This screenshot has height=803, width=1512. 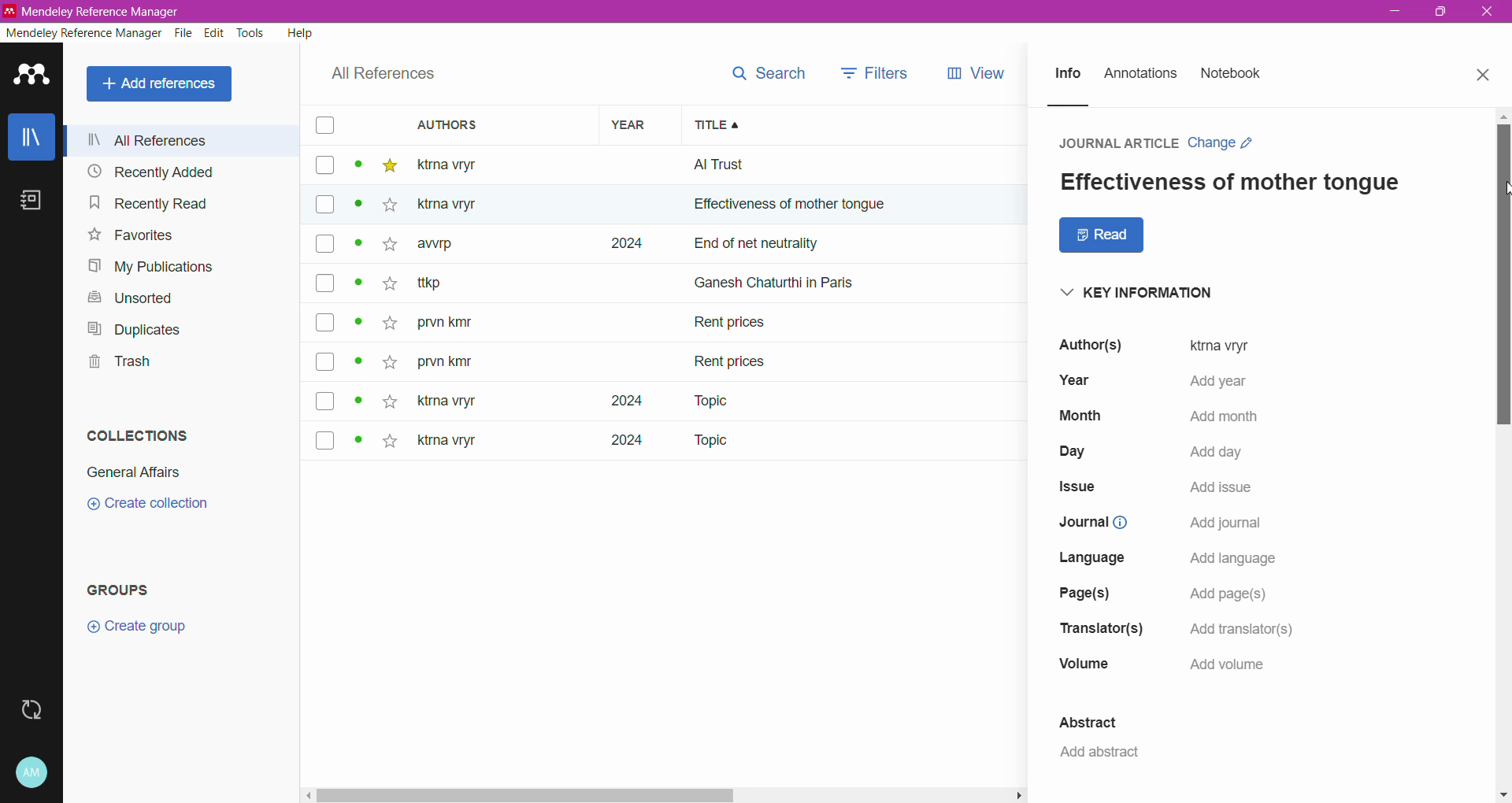 I want to click on Volume, so click(x=1084, y=664).